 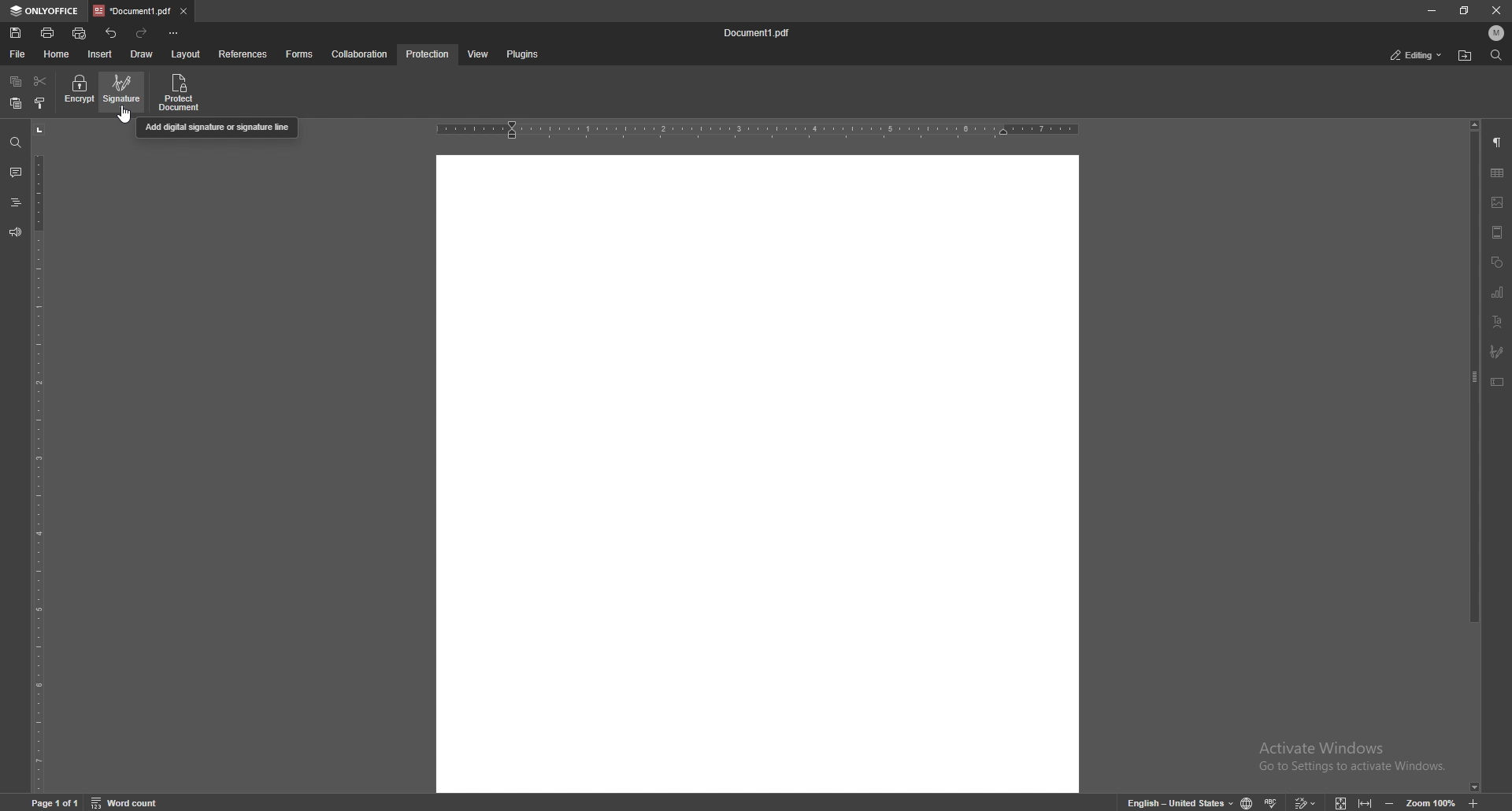 I want to click on zoom, so click(x=1420, y=802).